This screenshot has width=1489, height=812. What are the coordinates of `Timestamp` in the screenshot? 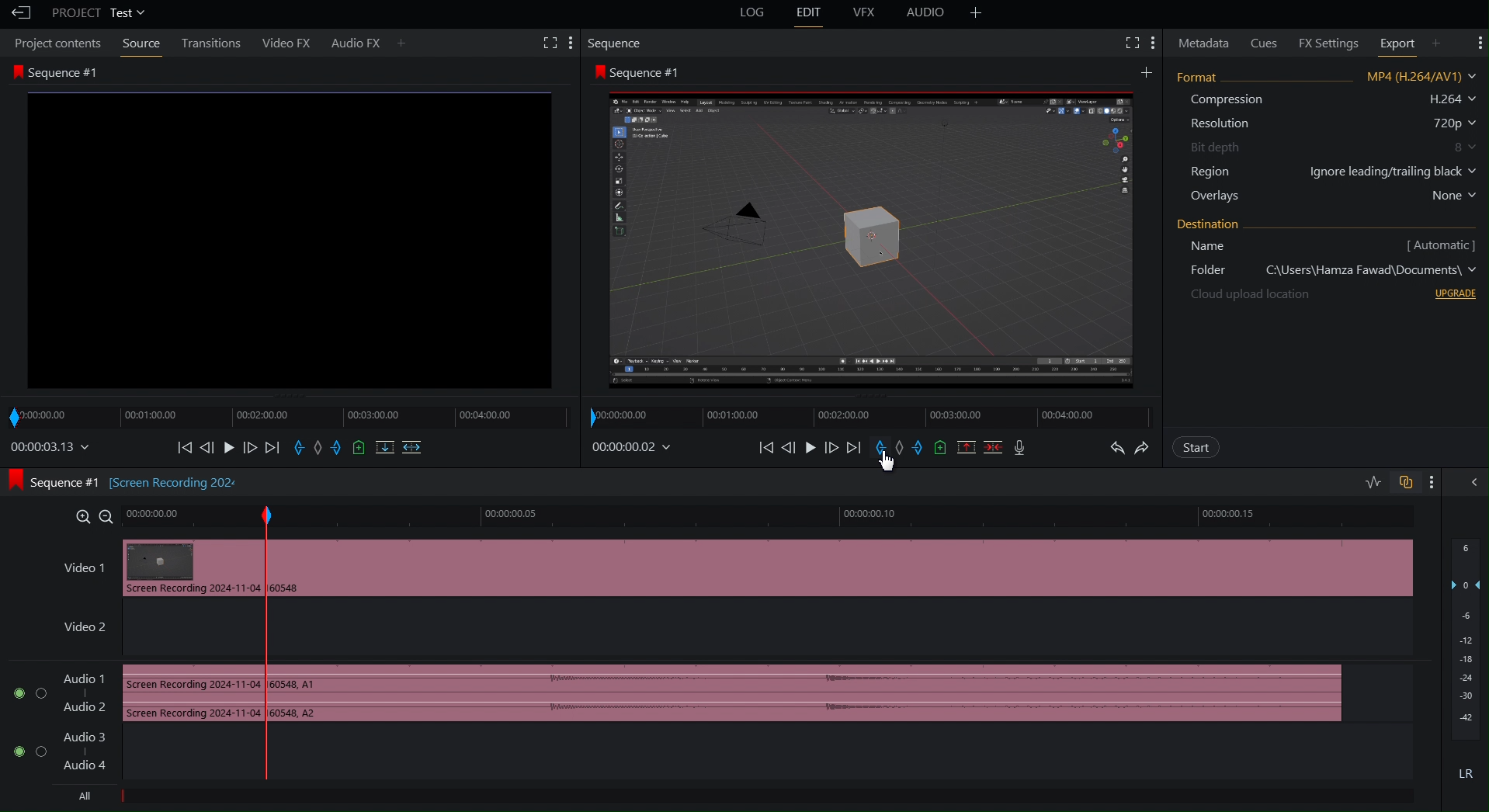 It's located at (50, 449).